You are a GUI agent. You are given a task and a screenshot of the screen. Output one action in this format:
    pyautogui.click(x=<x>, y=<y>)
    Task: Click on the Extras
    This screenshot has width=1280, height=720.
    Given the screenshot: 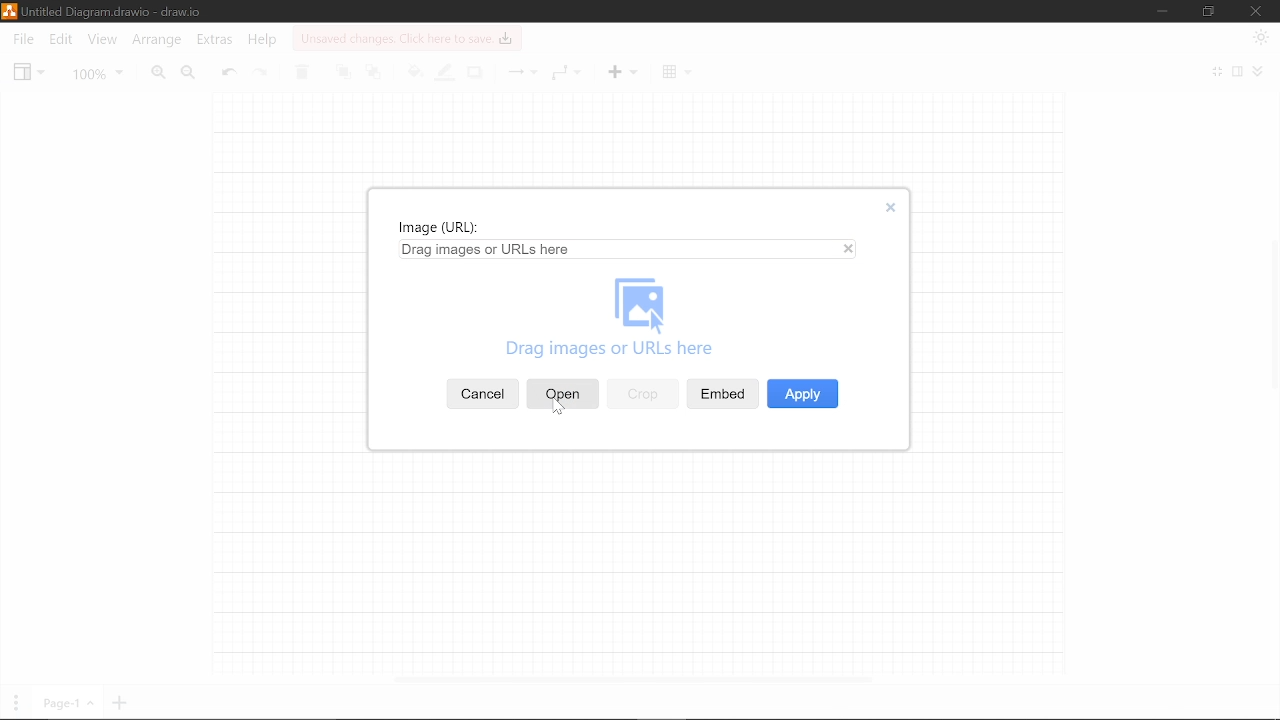 What is the action you would take?
    pyautogui.click(x=214, y=42)
    